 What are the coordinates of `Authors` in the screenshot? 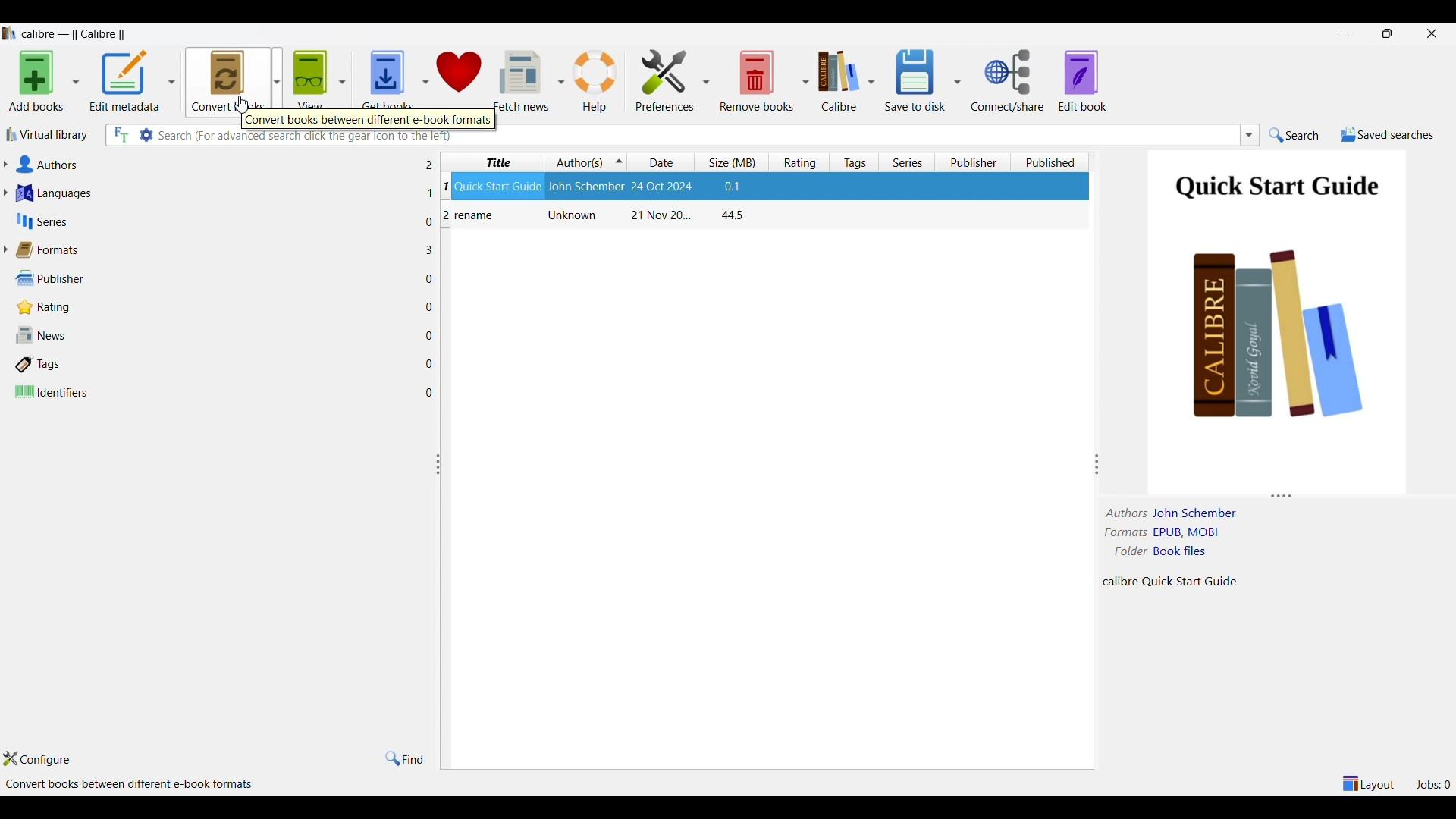 It's located at (213, 164).